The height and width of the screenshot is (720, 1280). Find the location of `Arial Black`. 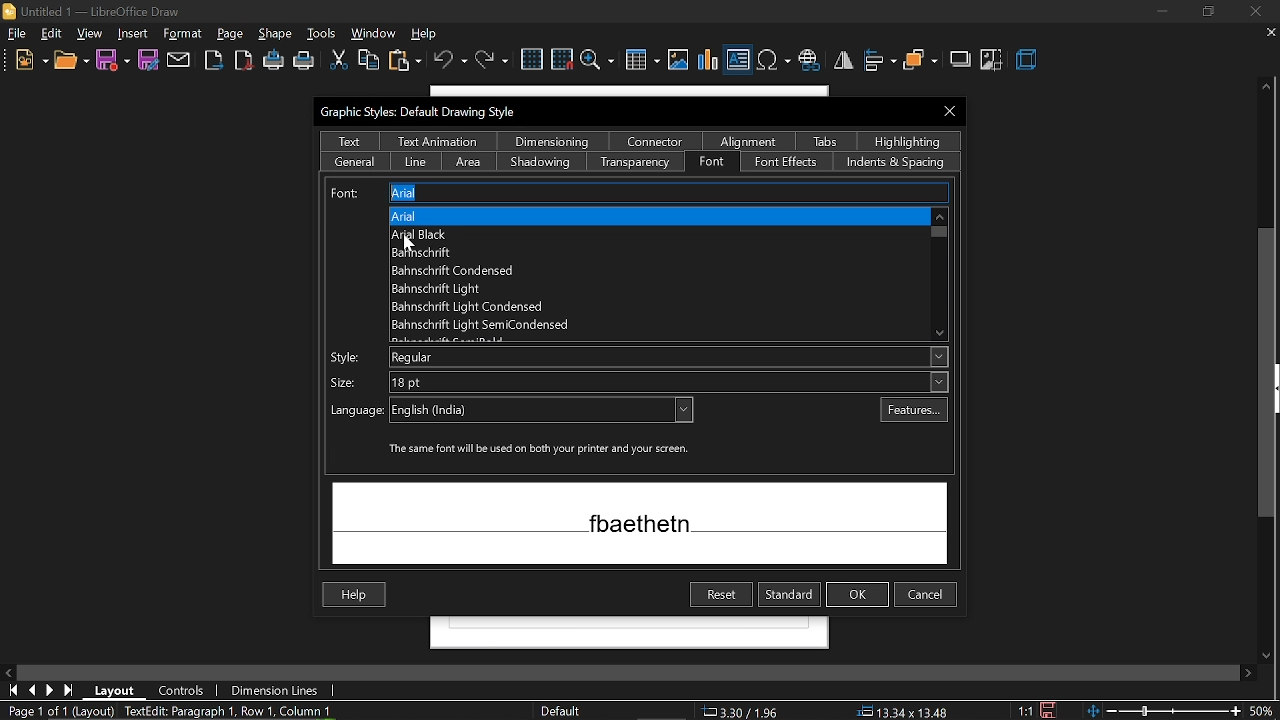

Arial Black is located at coordinates (458, 233).